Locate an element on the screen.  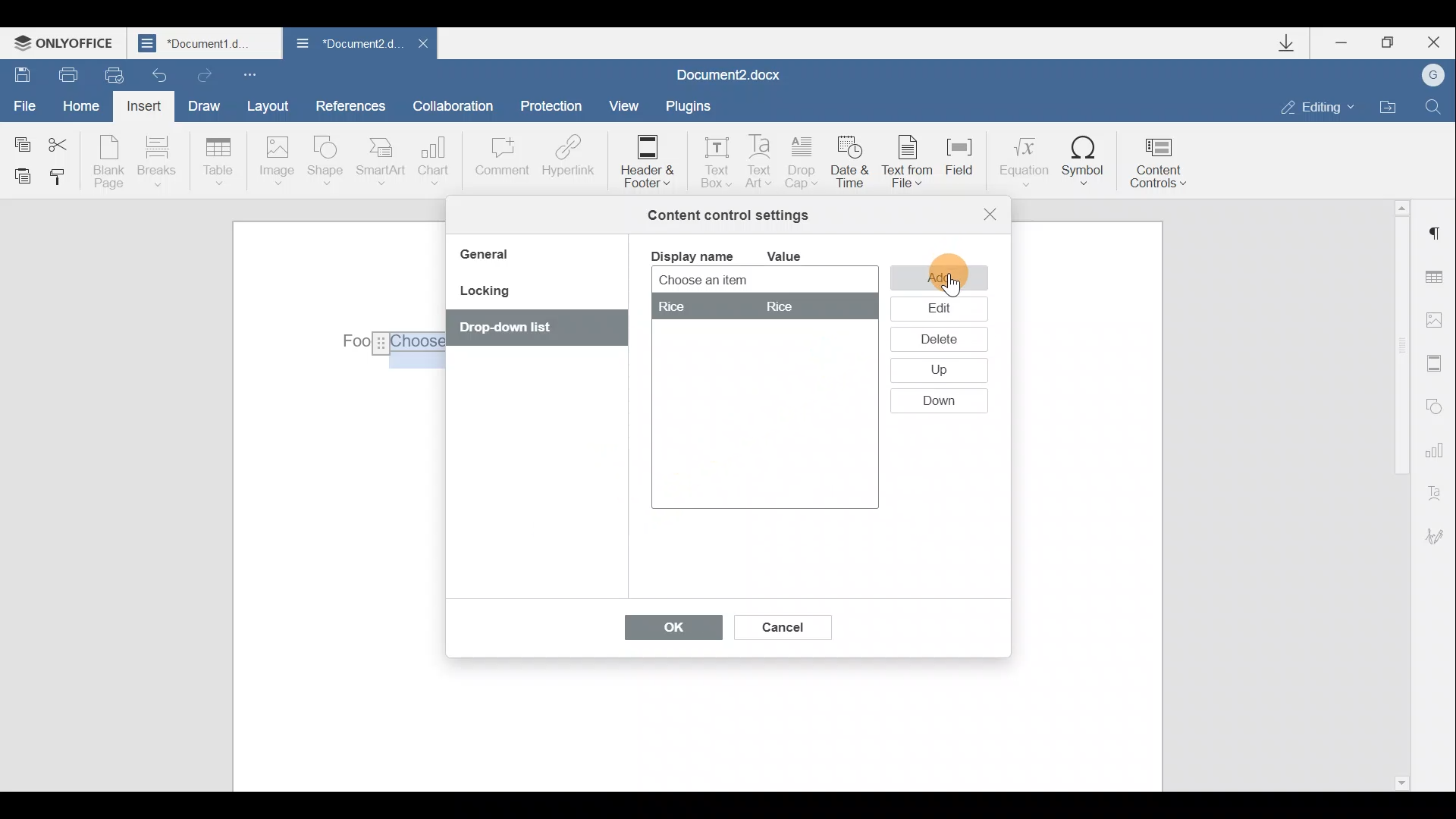
Comment is located at coordinates (501, 164).